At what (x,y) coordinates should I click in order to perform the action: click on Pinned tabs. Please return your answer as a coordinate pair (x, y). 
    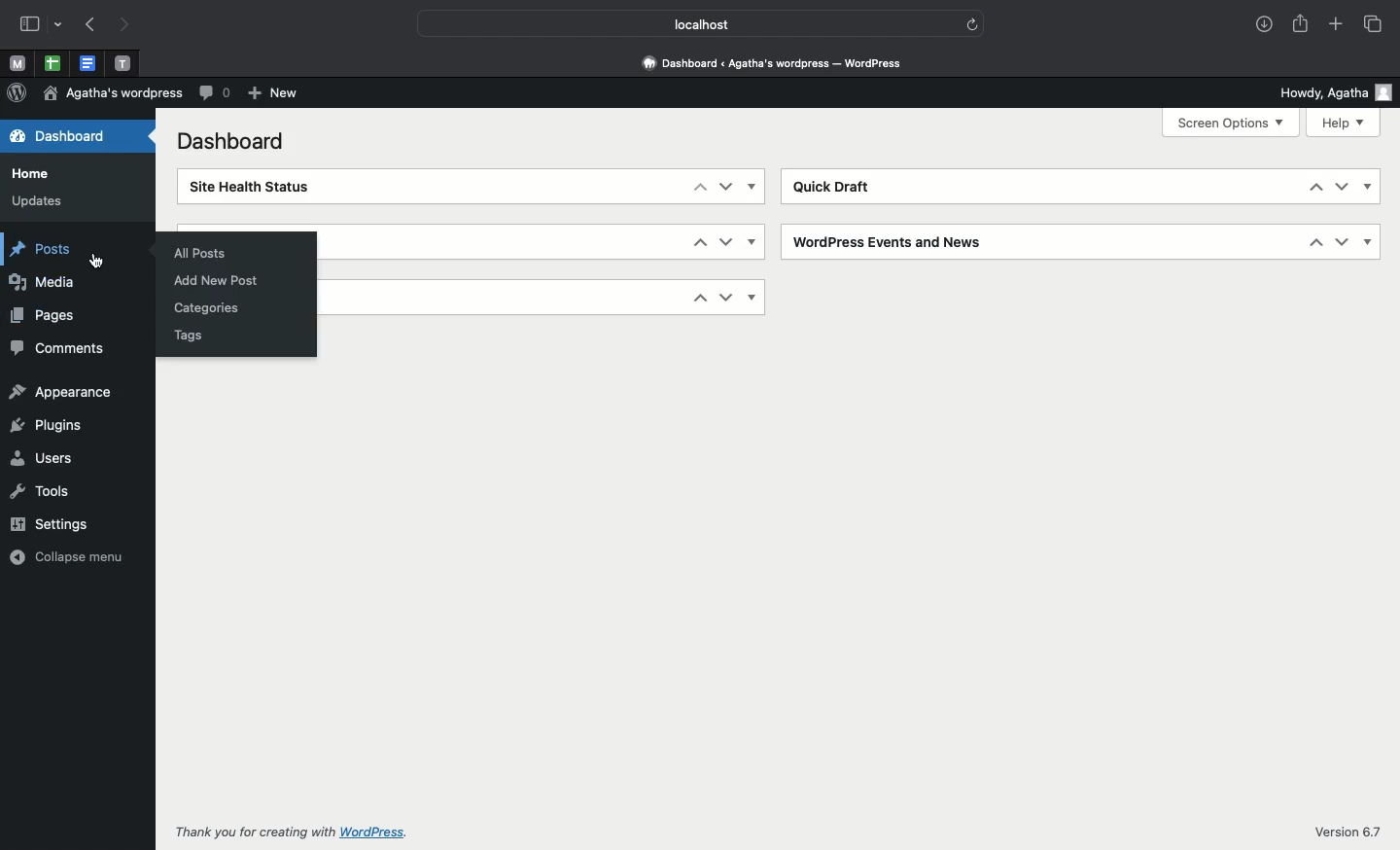
    Looking at the image, I should click on (88, 63).